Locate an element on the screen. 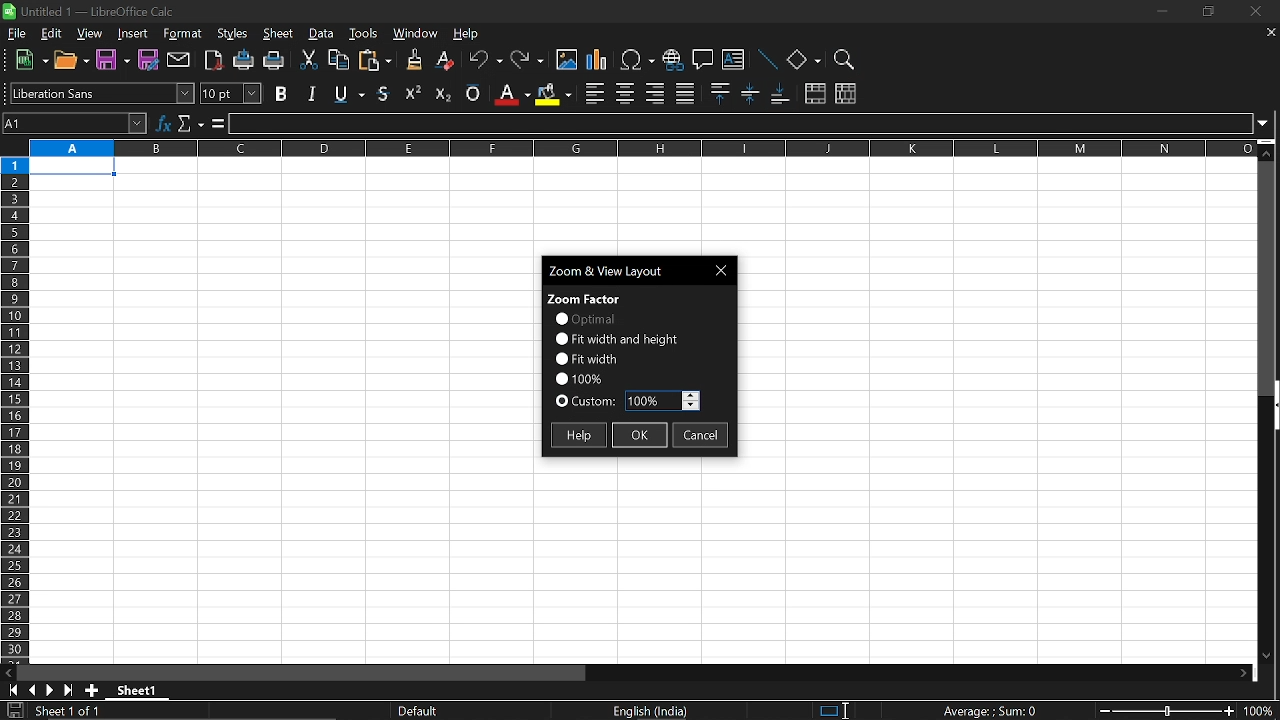 This screenshot has height=720, width=1280. current zoom is located at coordinates (1262, 713).